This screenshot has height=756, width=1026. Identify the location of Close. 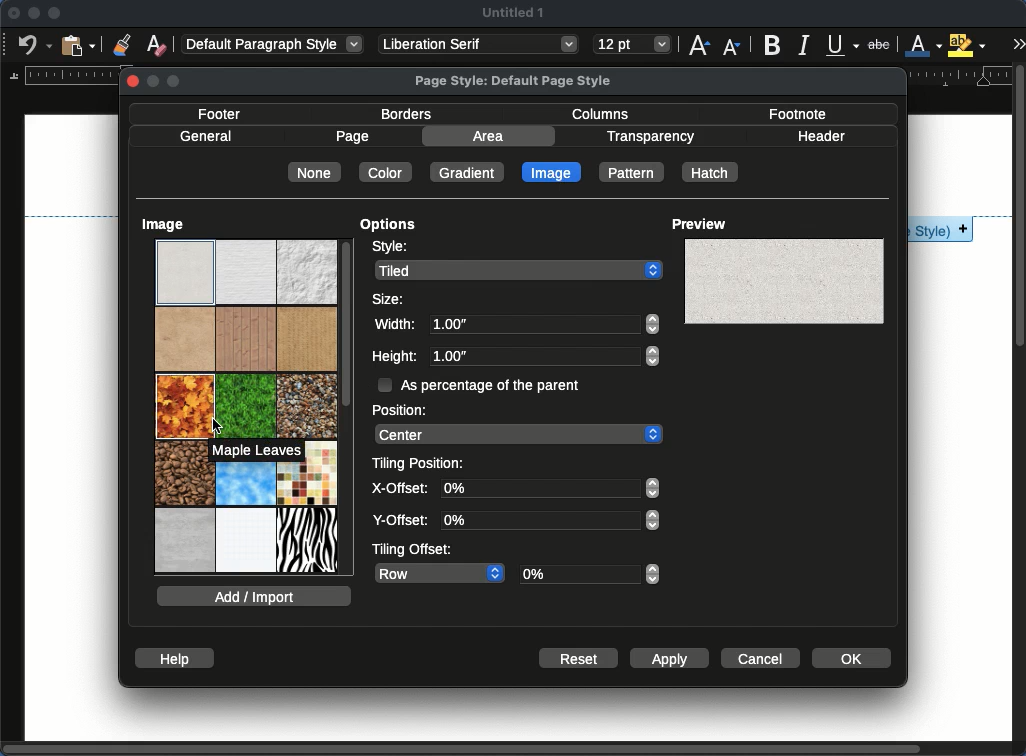
(135, 82).